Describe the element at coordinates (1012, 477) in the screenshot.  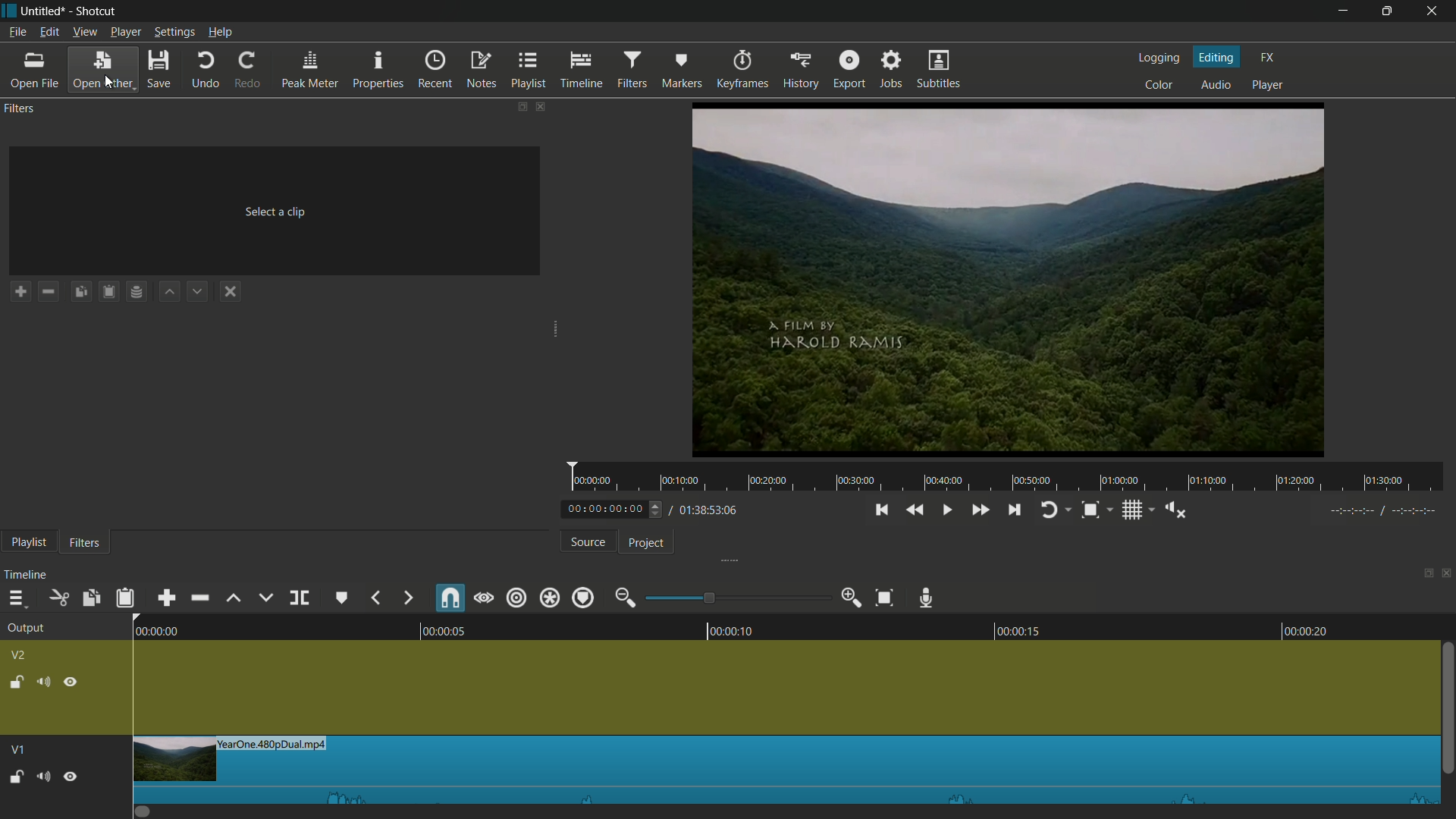
I see `time` at that location.